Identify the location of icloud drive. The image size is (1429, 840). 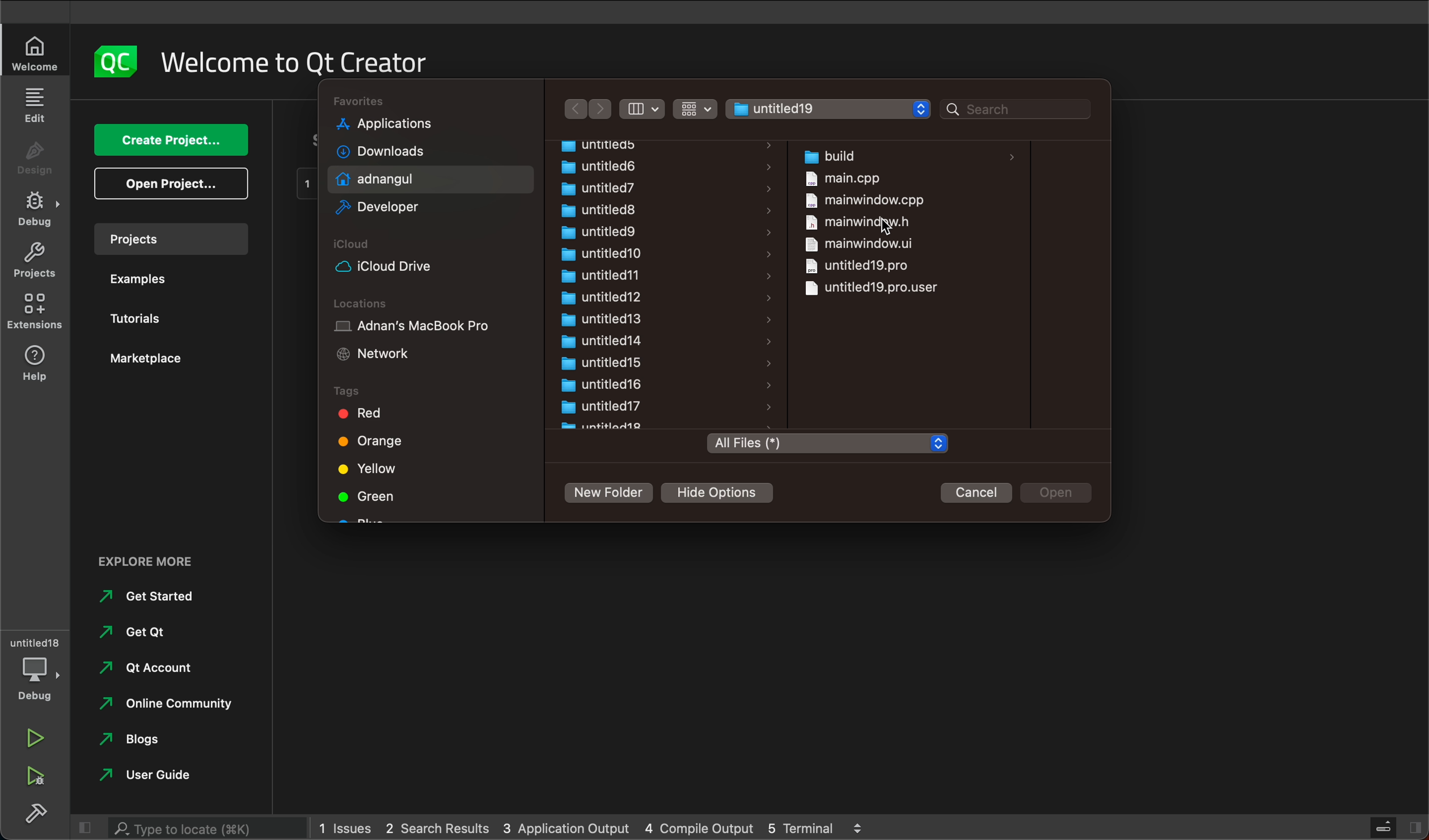
(400, 266).